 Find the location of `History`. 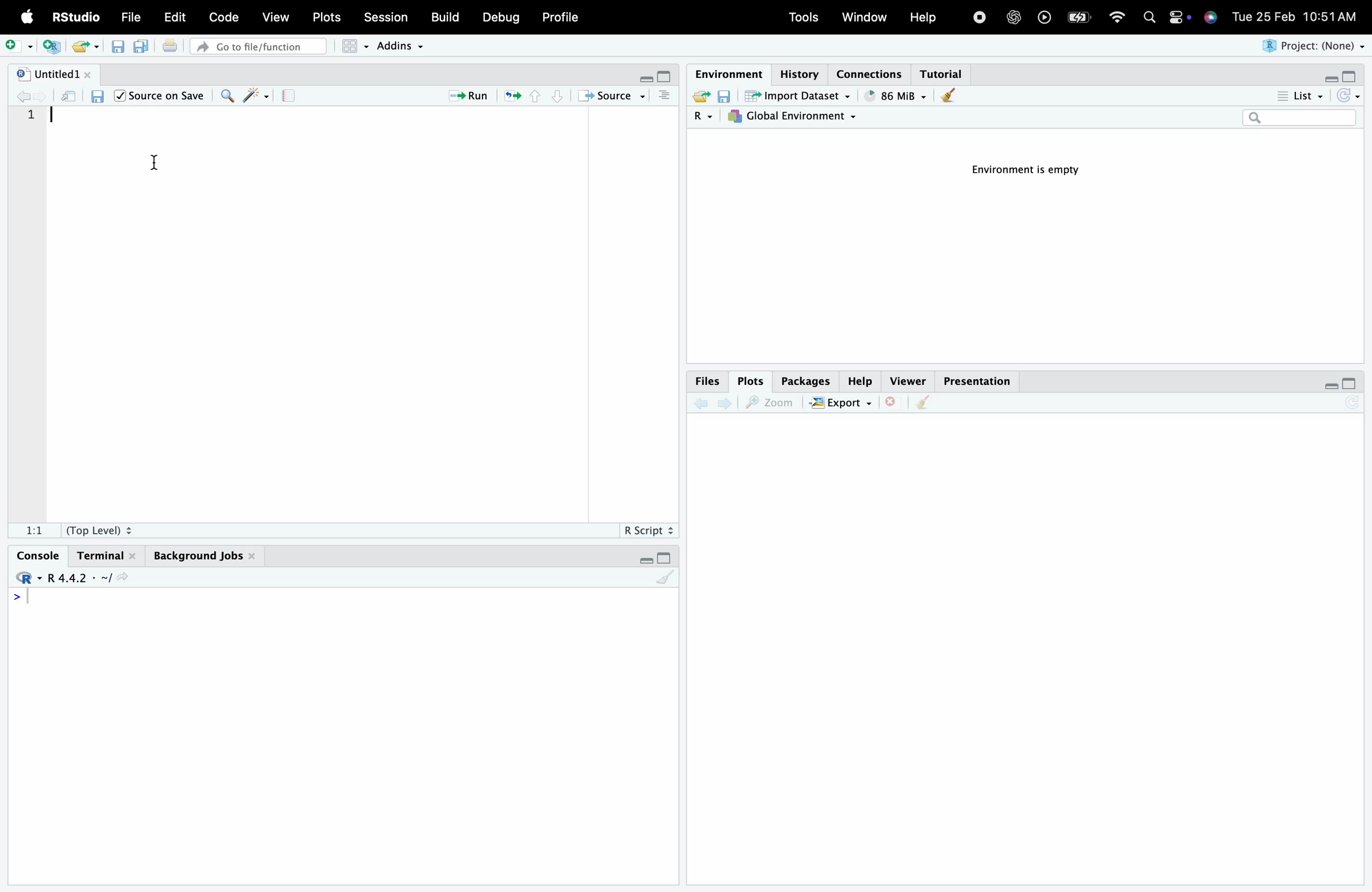

History is located at coordinates (796, 68).